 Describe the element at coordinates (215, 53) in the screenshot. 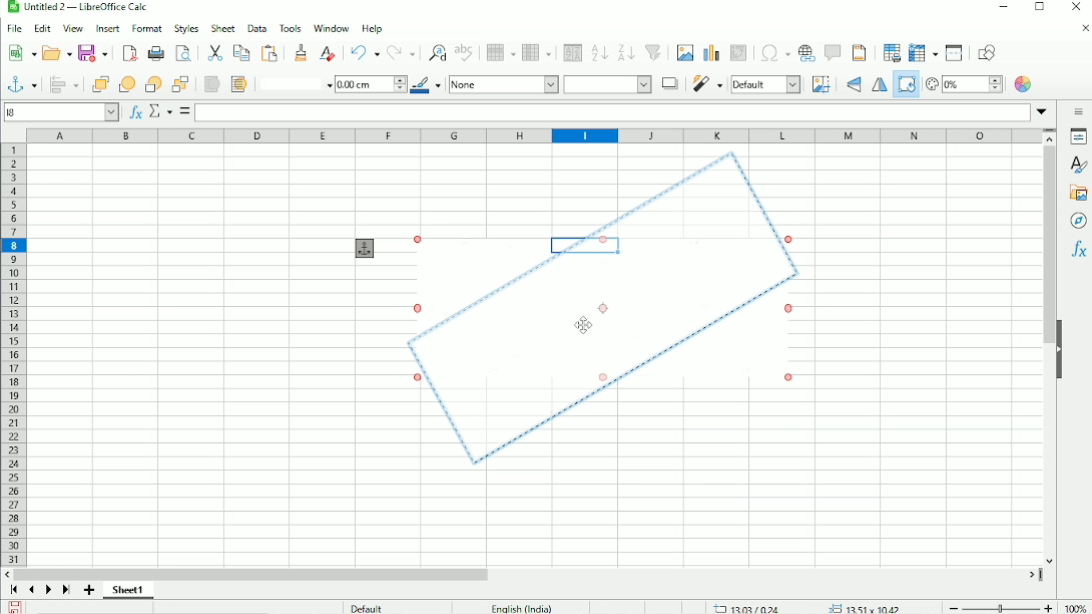

I see `Cut` at that location.